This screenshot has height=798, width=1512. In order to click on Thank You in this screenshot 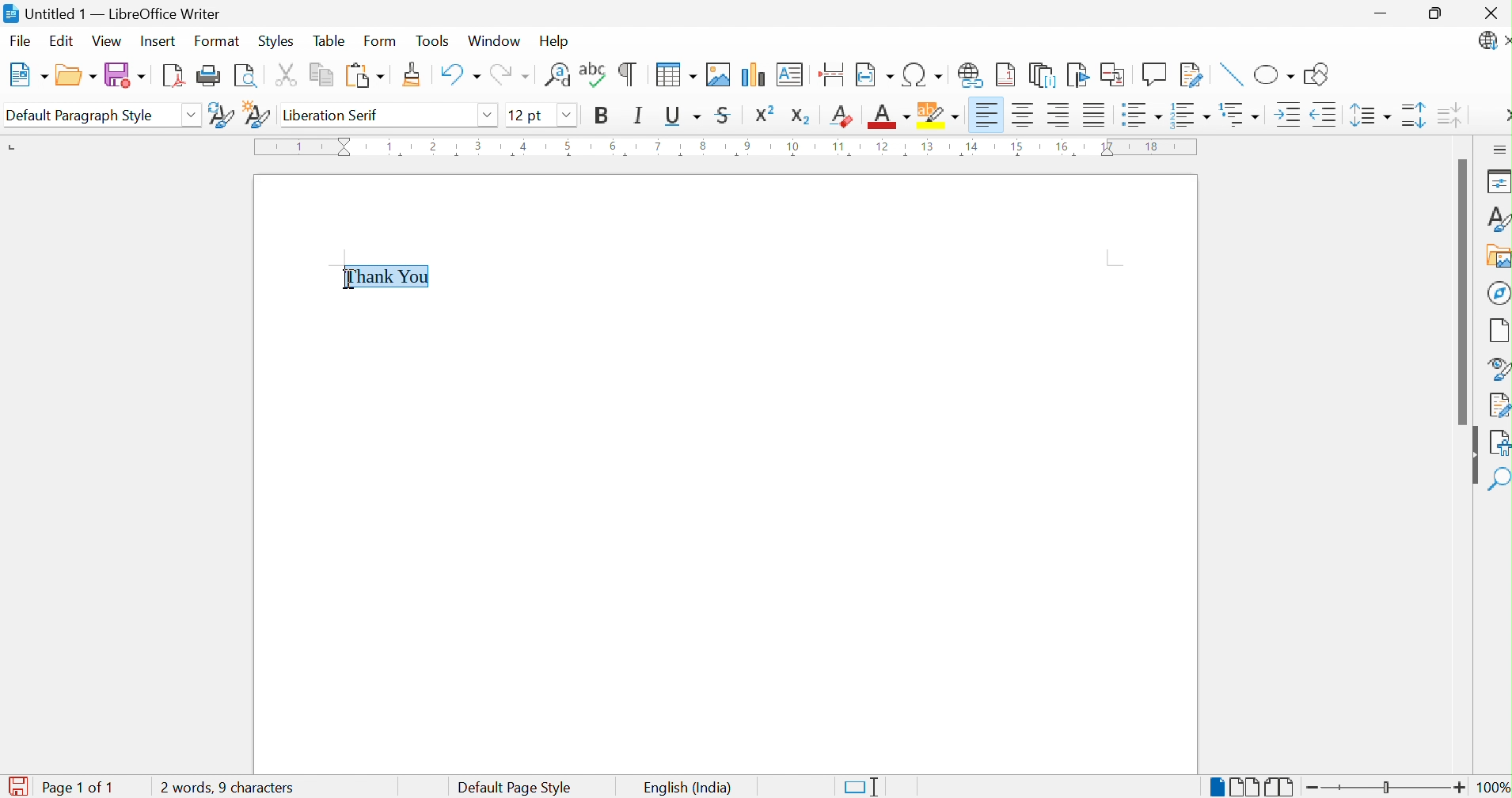, I will do `click(391, 277)`.